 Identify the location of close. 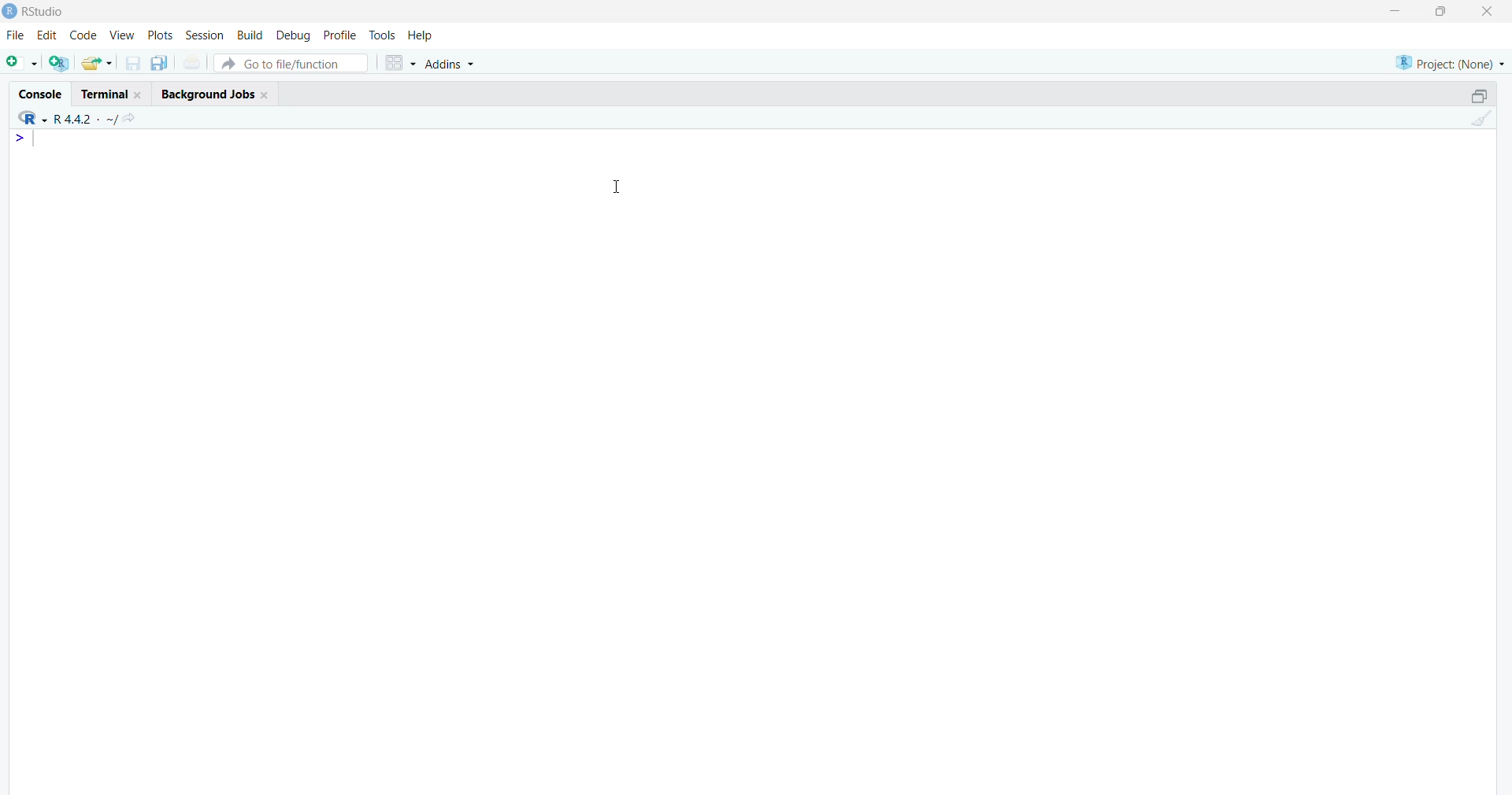
(1491, 10).